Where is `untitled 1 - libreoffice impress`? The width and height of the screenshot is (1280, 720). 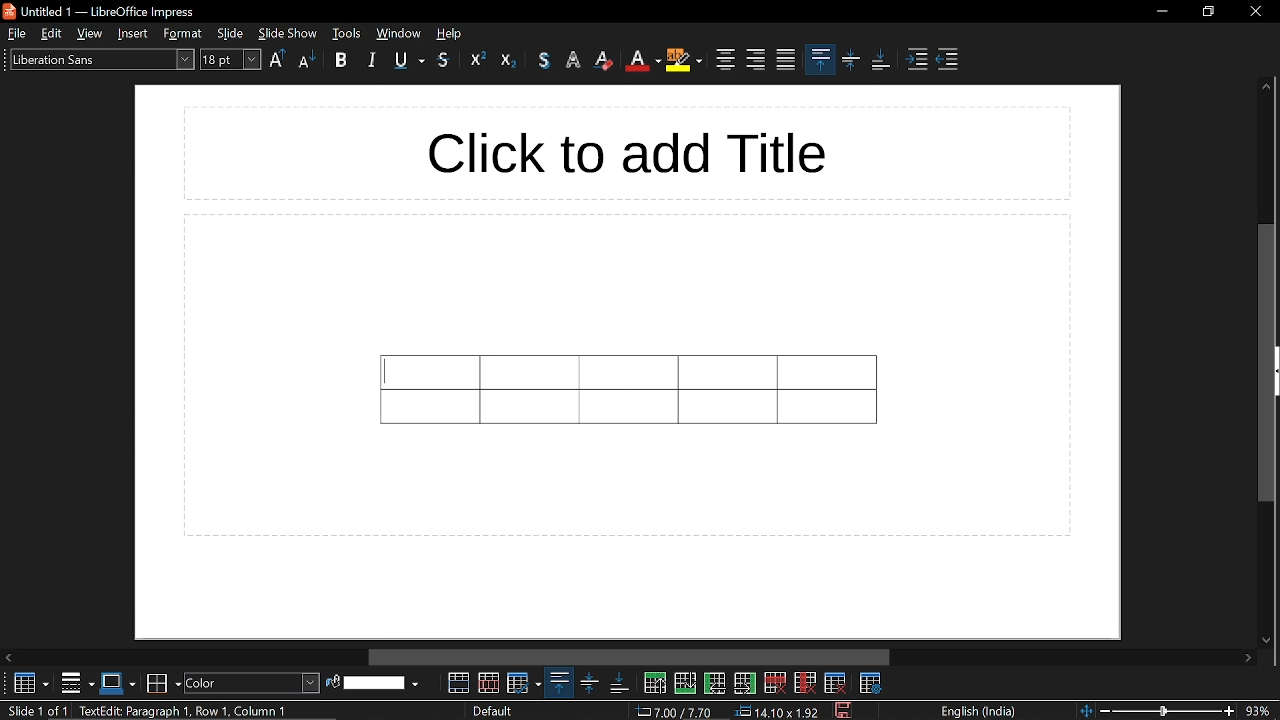 untitled 1 - libreoffice impress is located at coordinates (102, 11).